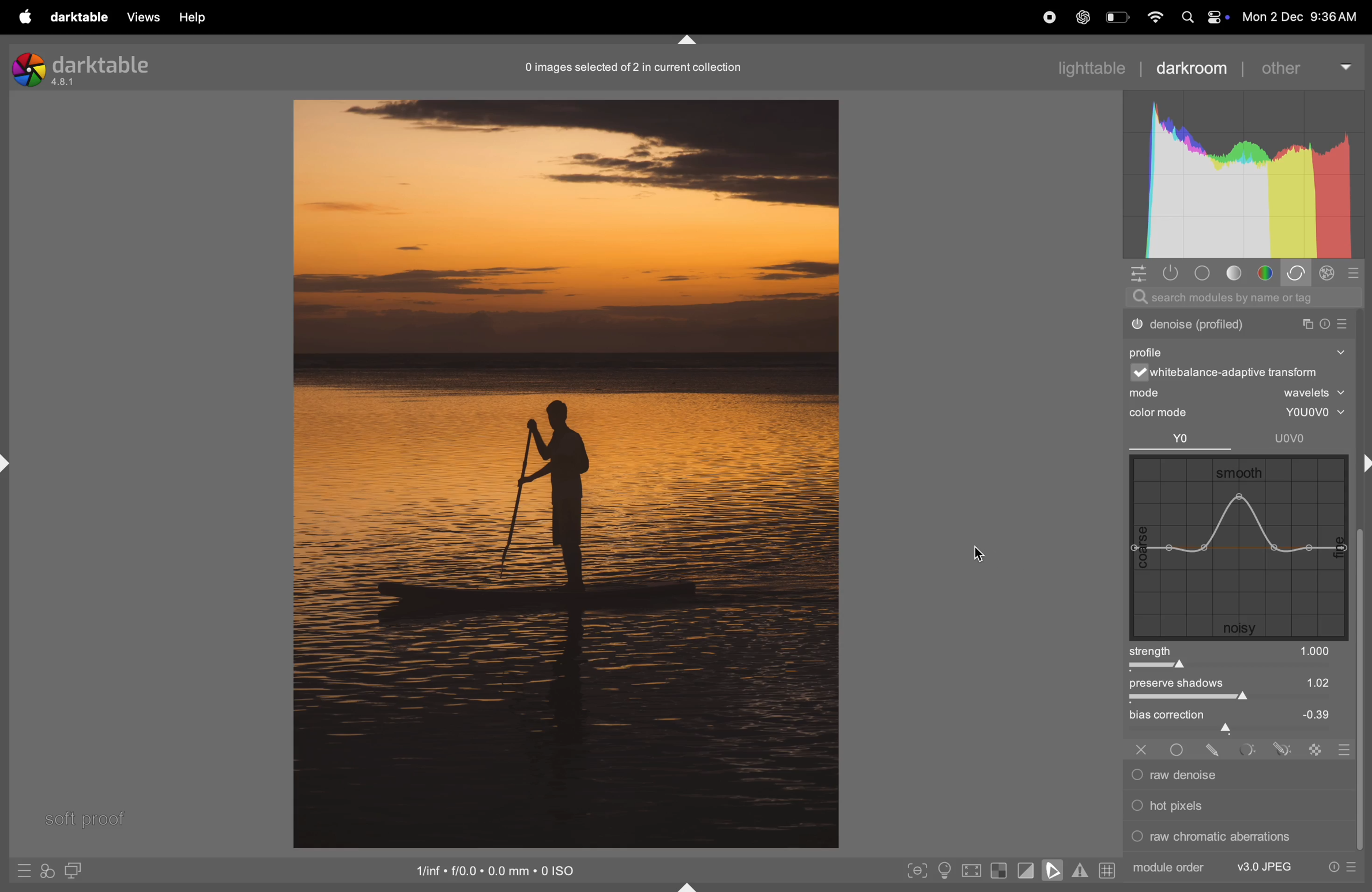 This screenshot has height=892, width=1372. What do you see at coordinates (1182, 440) in the screenshot?
I see `yo` at bounding box center [1182, 440].